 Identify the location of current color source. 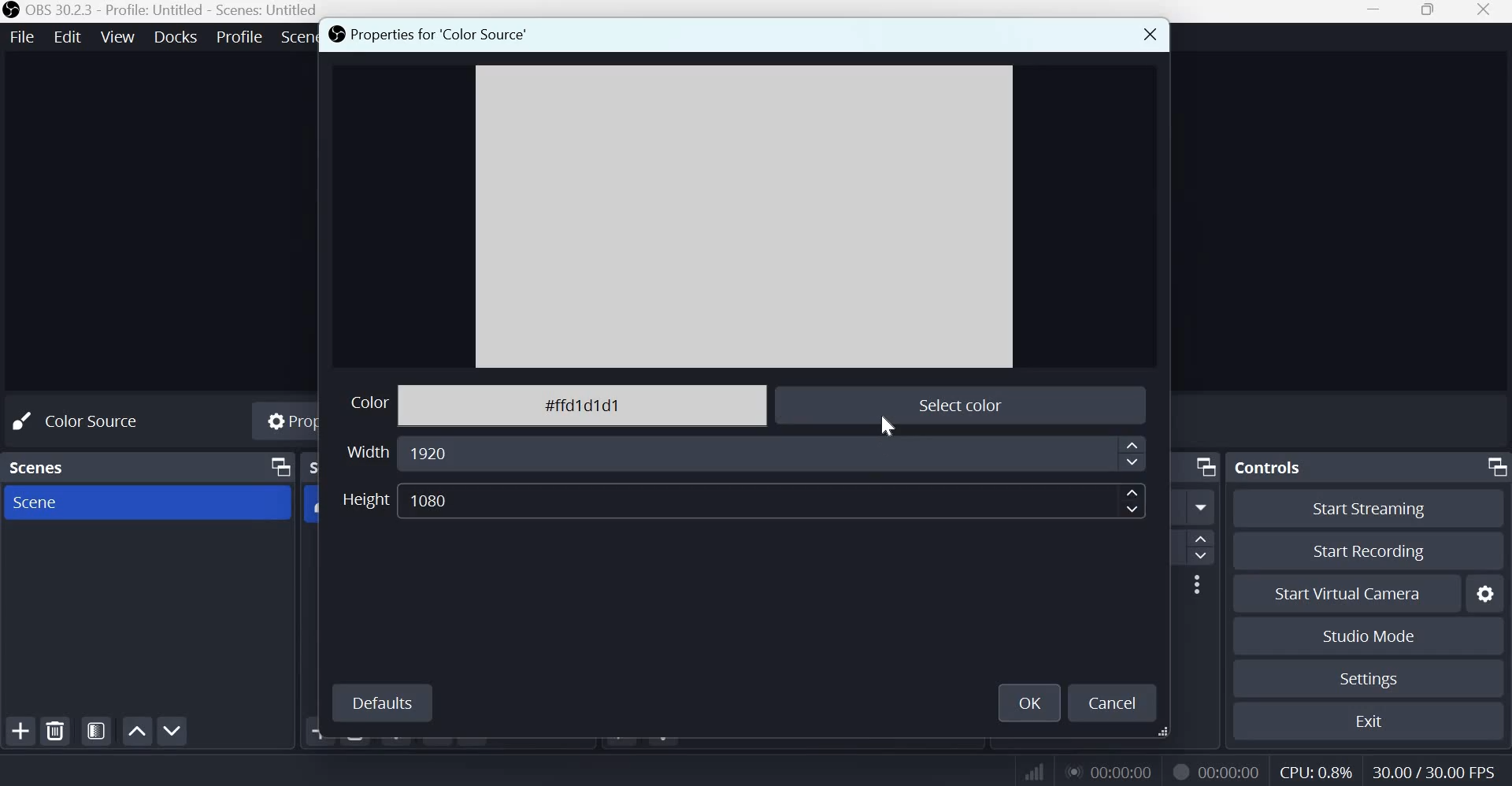
(745, 217).